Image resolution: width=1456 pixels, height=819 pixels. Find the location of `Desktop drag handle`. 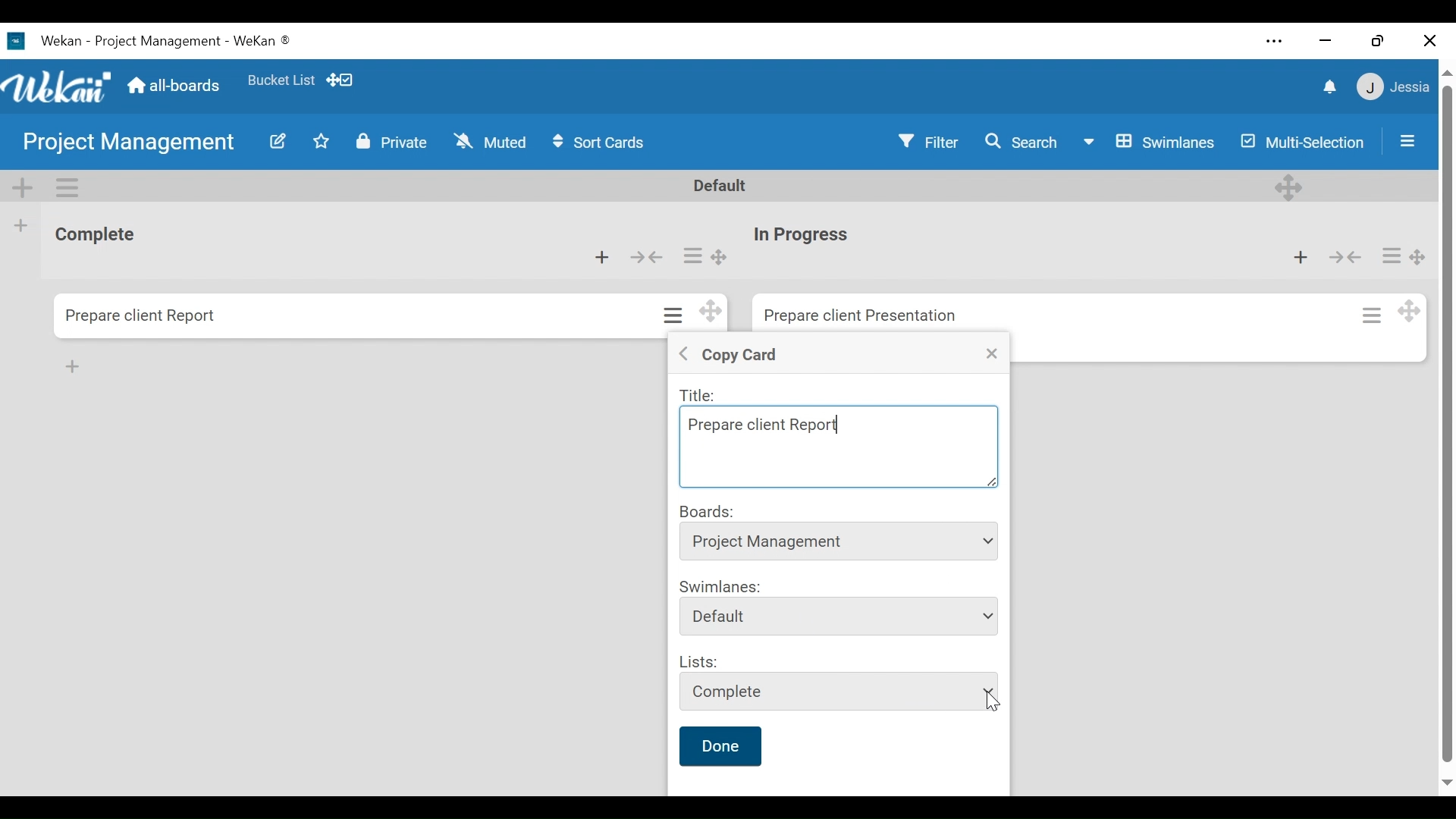

Desktop drag handle is located at coordinates (733, 257).